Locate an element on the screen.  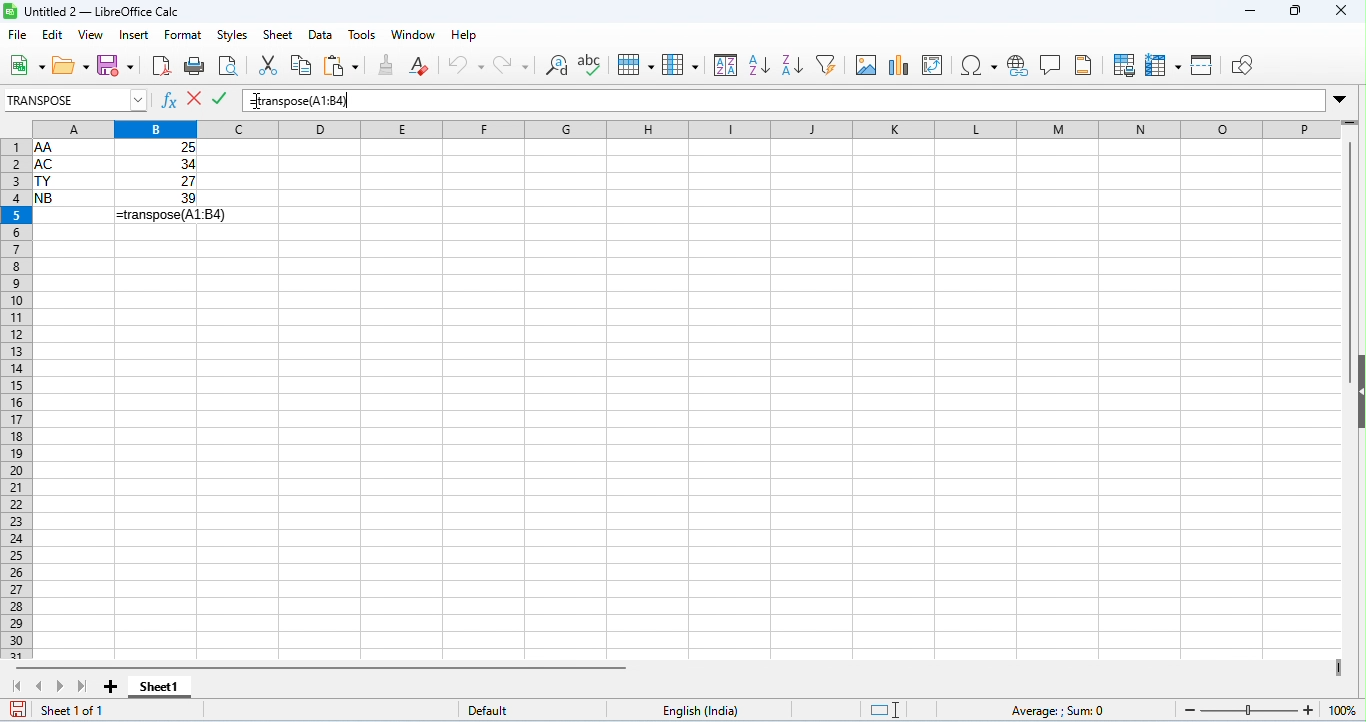
last sheet is located at coordinates (80, 684).